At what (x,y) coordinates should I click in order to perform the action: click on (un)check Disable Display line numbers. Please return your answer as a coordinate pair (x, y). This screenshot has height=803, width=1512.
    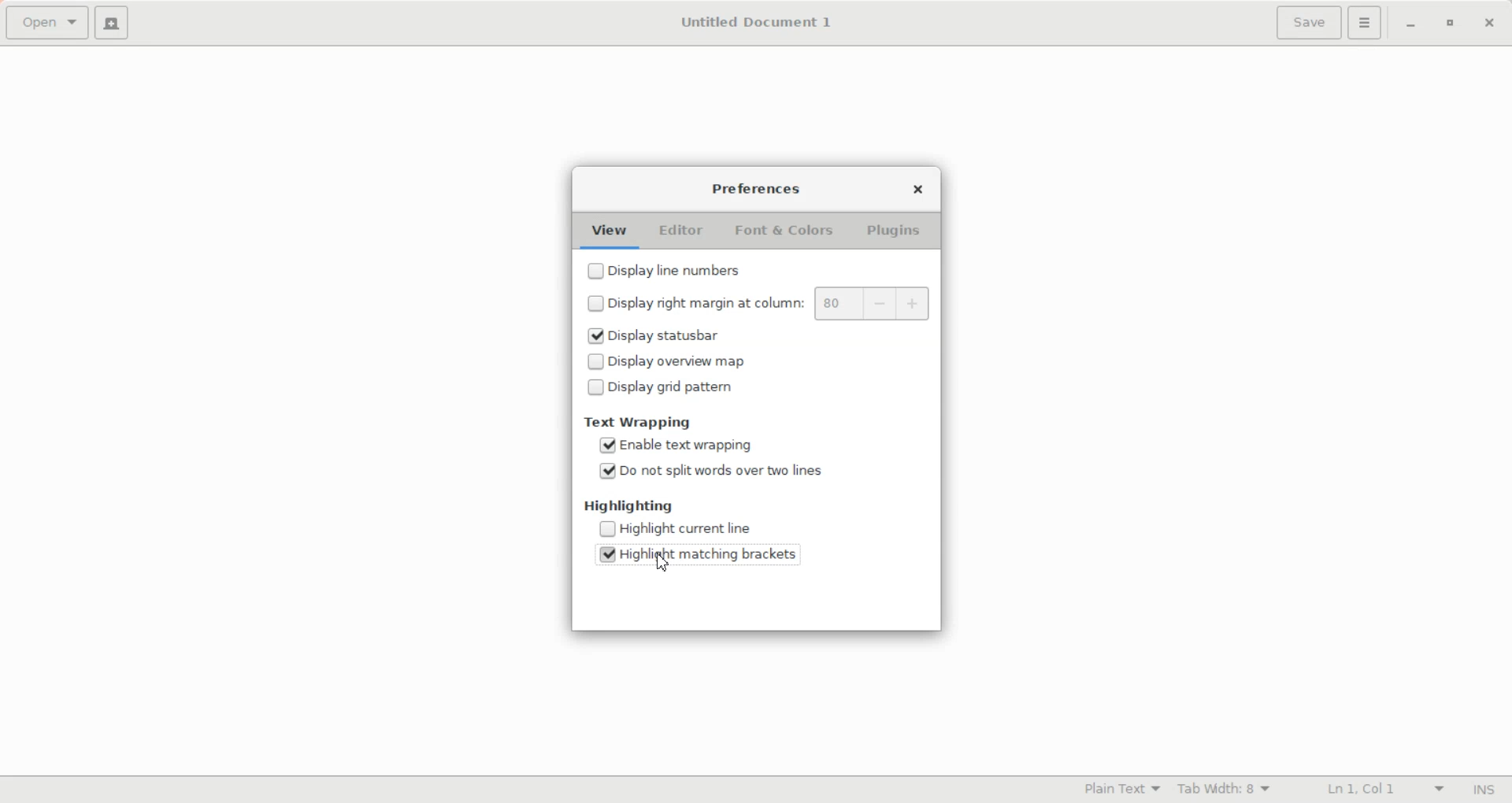
    Looking at the image, I should click on (705, 268).